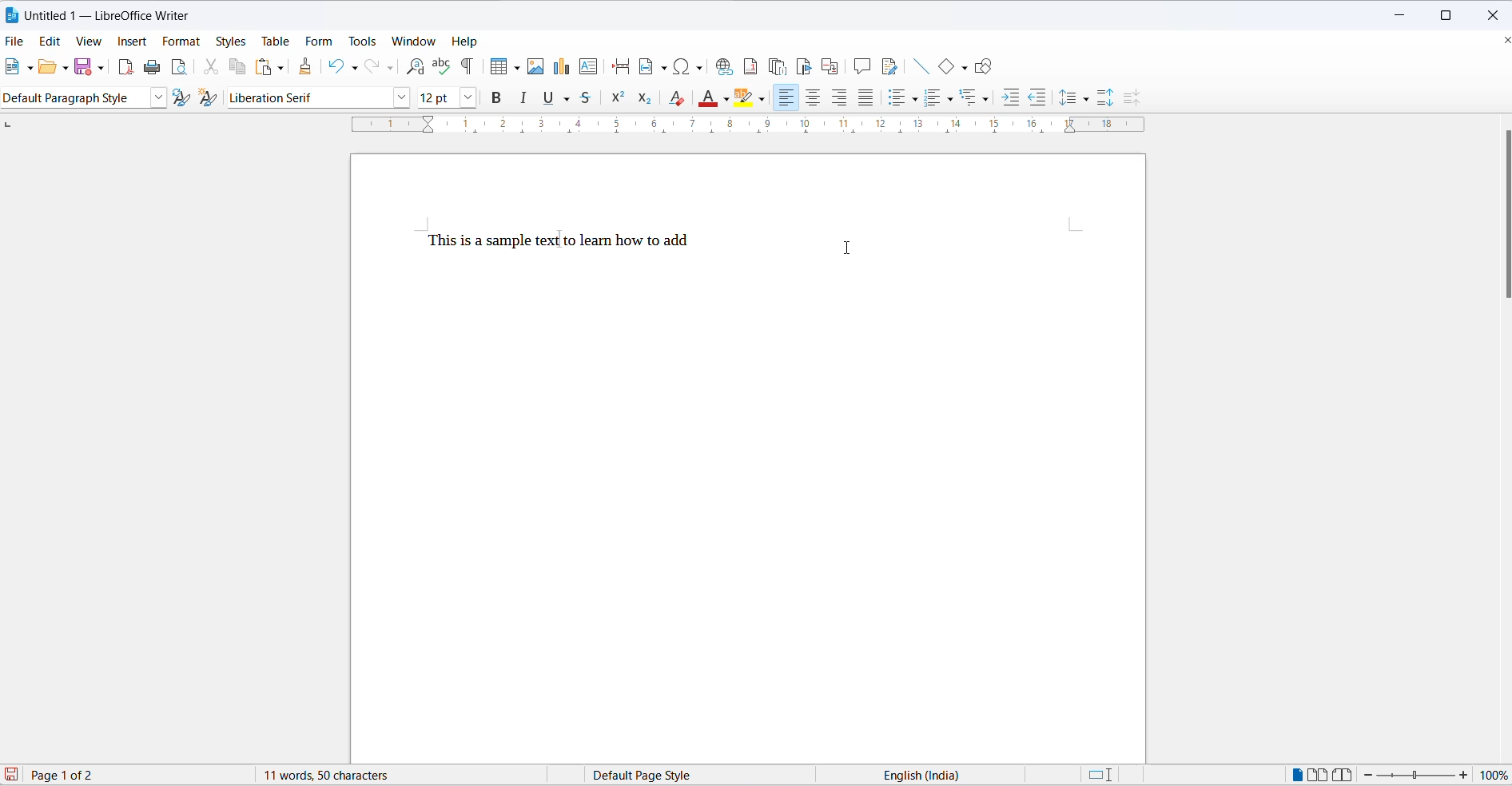 This screenshot has height=786, width=1512. I want to click on character highlight icon, so click(747, 99).